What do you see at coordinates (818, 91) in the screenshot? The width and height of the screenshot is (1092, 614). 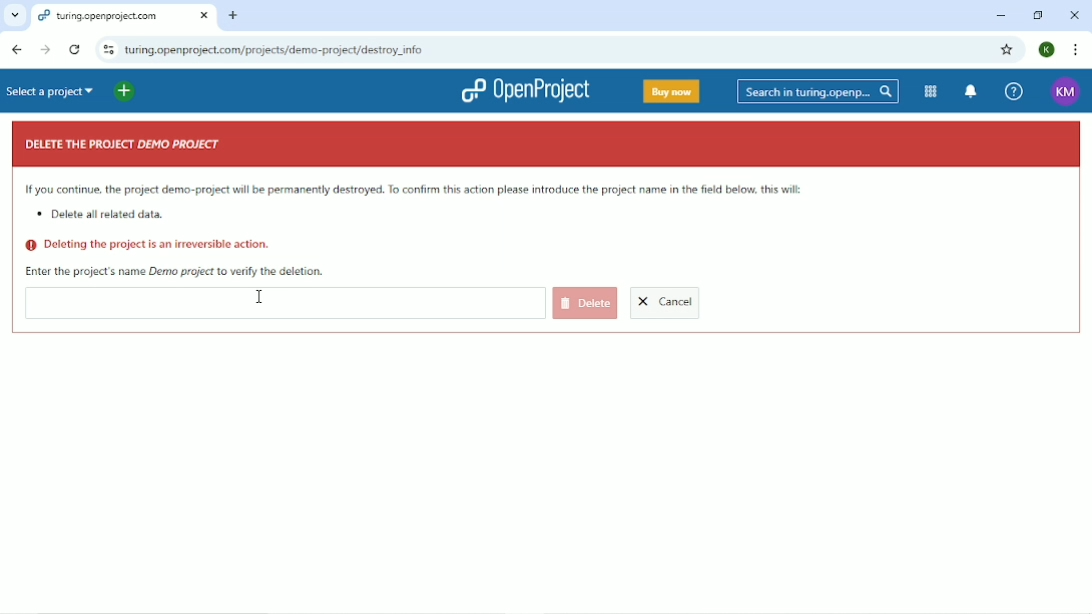 I see `Search in turin.openprojects.com` at bounding box center [818, 91].